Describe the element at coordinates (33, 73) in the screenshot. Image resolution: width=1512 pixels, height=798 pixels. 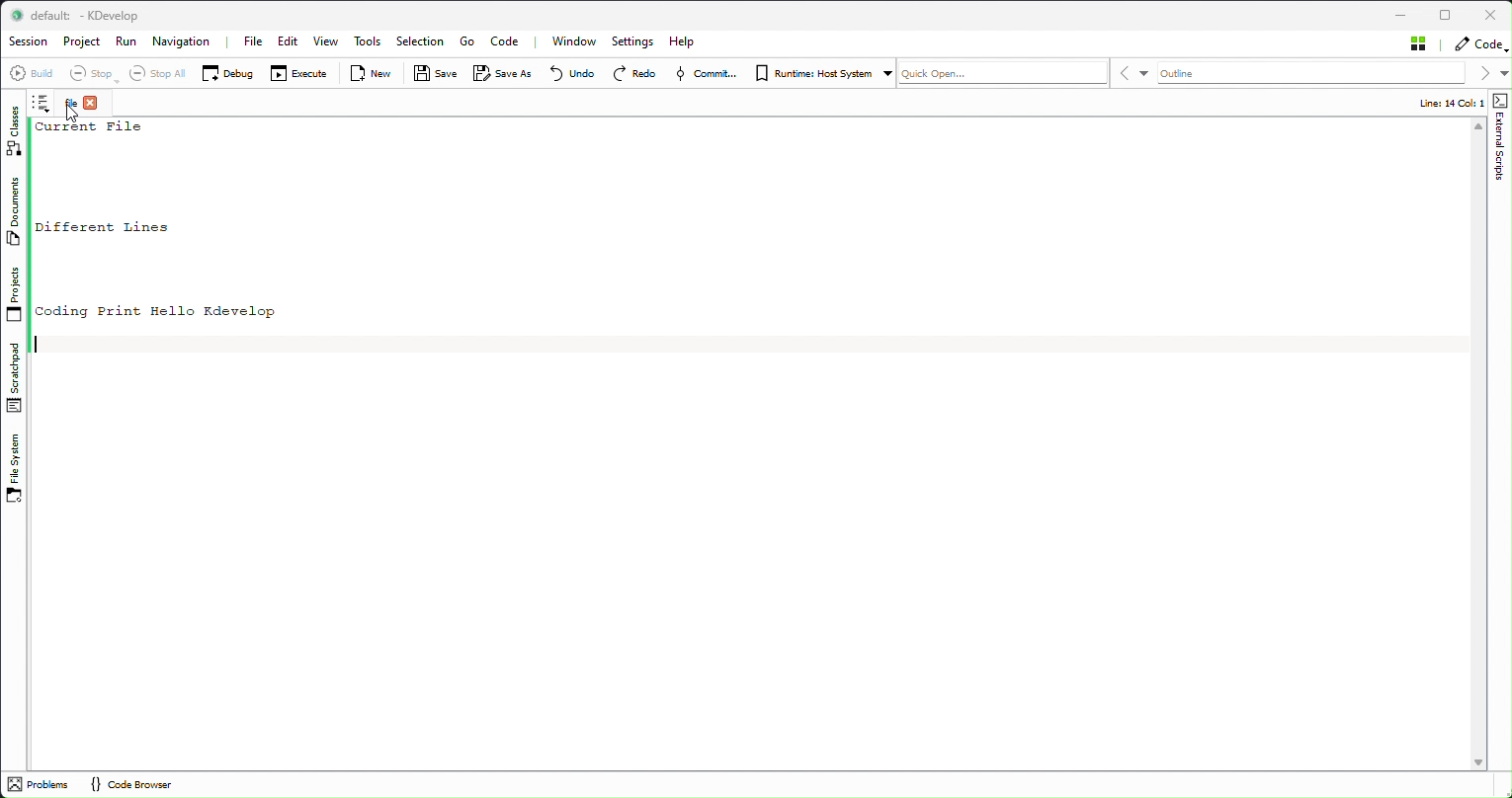
I see `Build` at that location.